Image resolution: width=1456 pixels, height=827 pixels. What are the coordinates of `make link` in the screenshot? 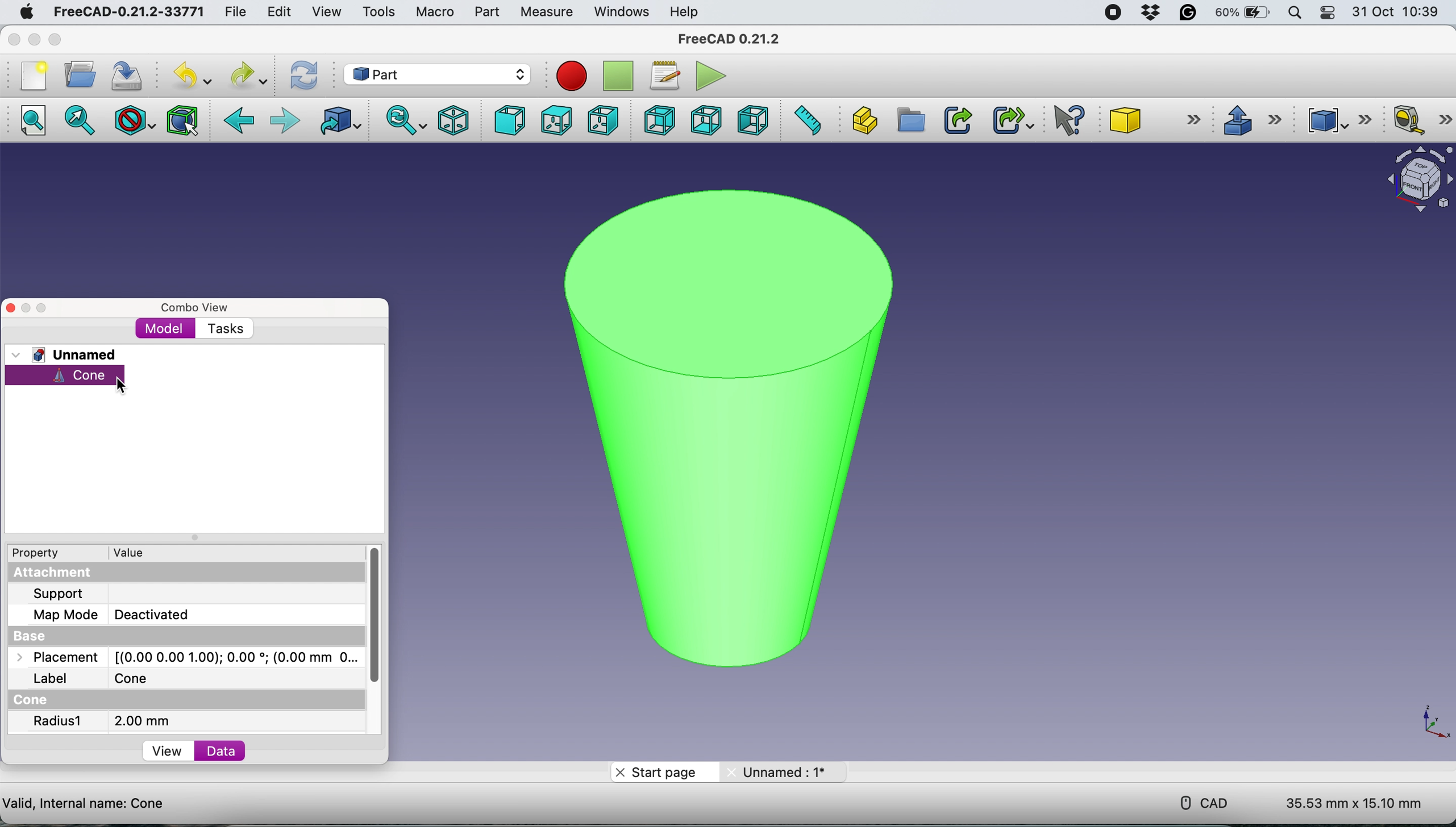 It's located at (958, 119).